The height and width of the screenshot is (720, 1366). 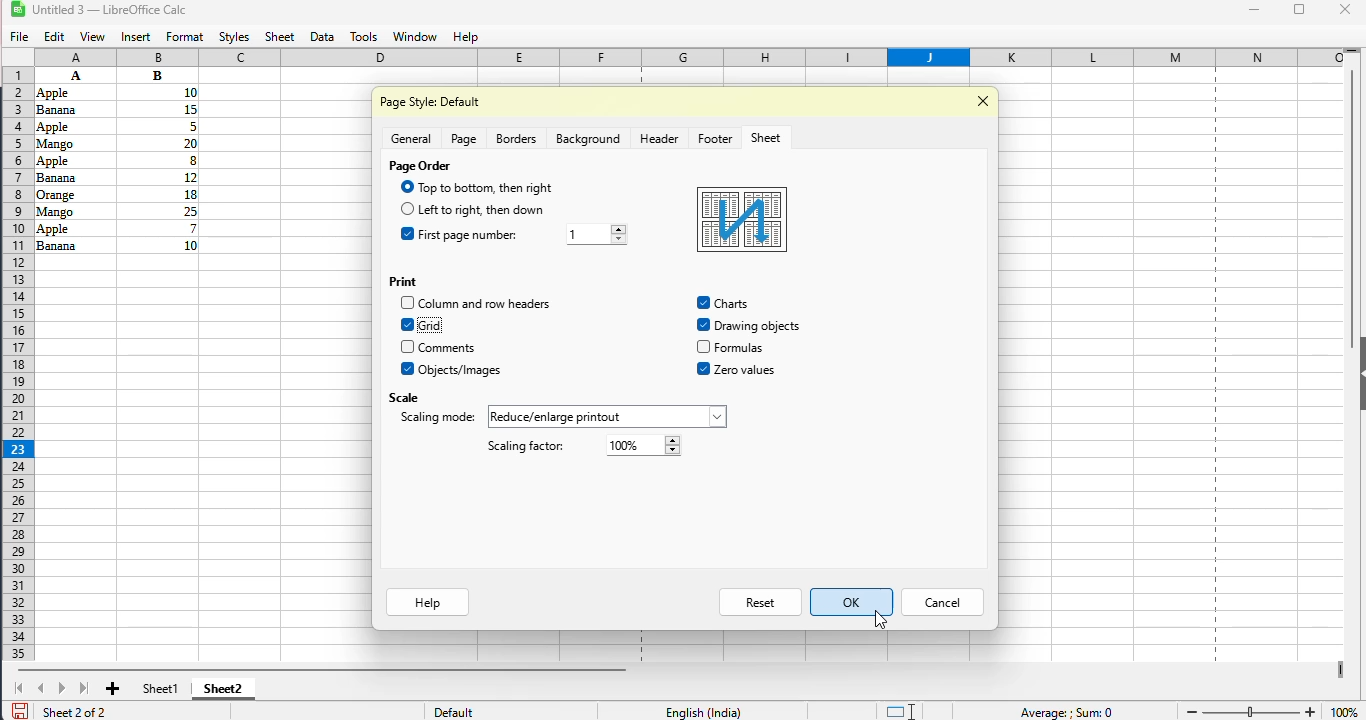 I want to click on show, so click(x=1357, y=373).